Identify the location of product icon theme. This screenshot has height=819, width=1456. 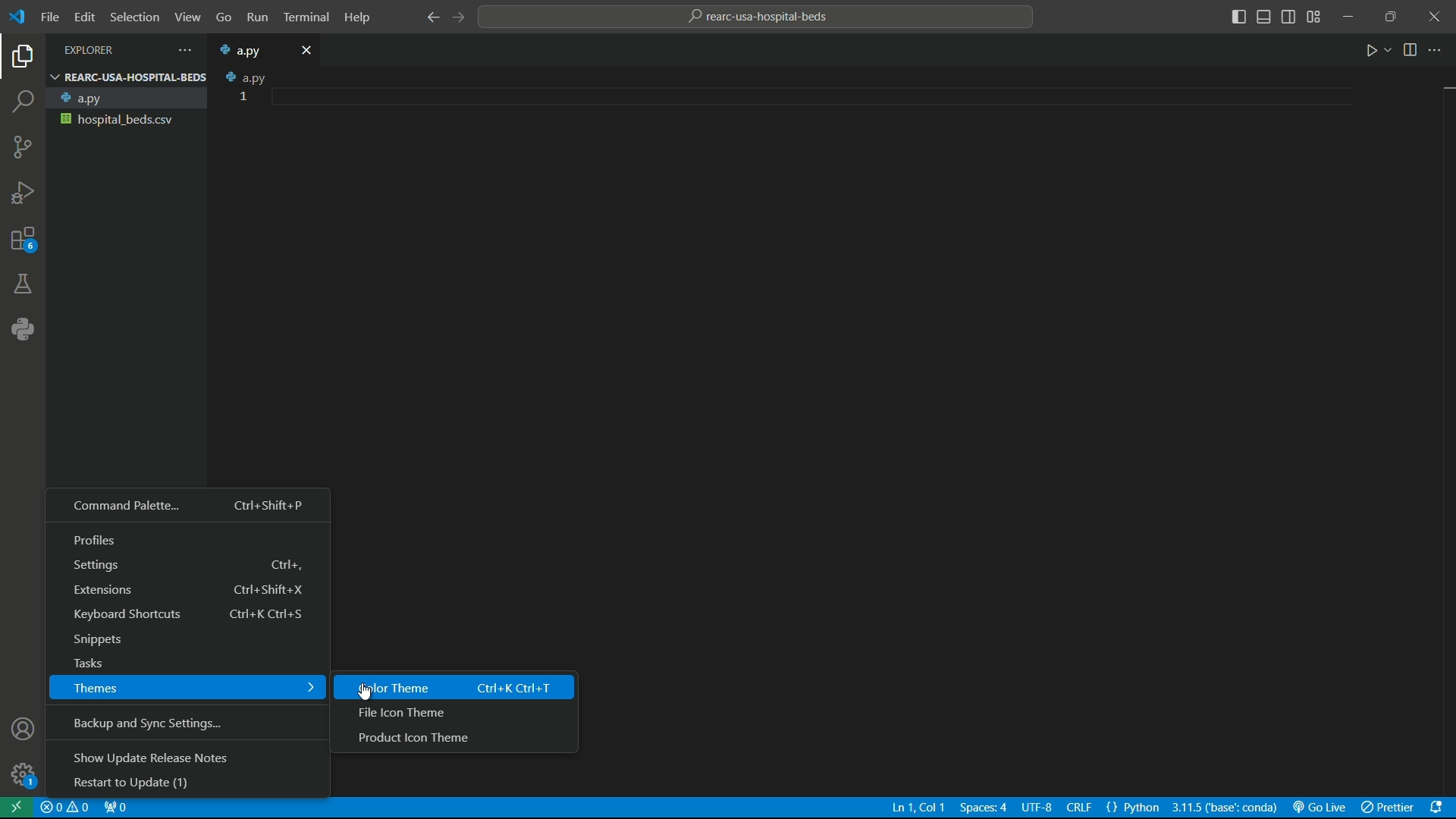
(457, 741).